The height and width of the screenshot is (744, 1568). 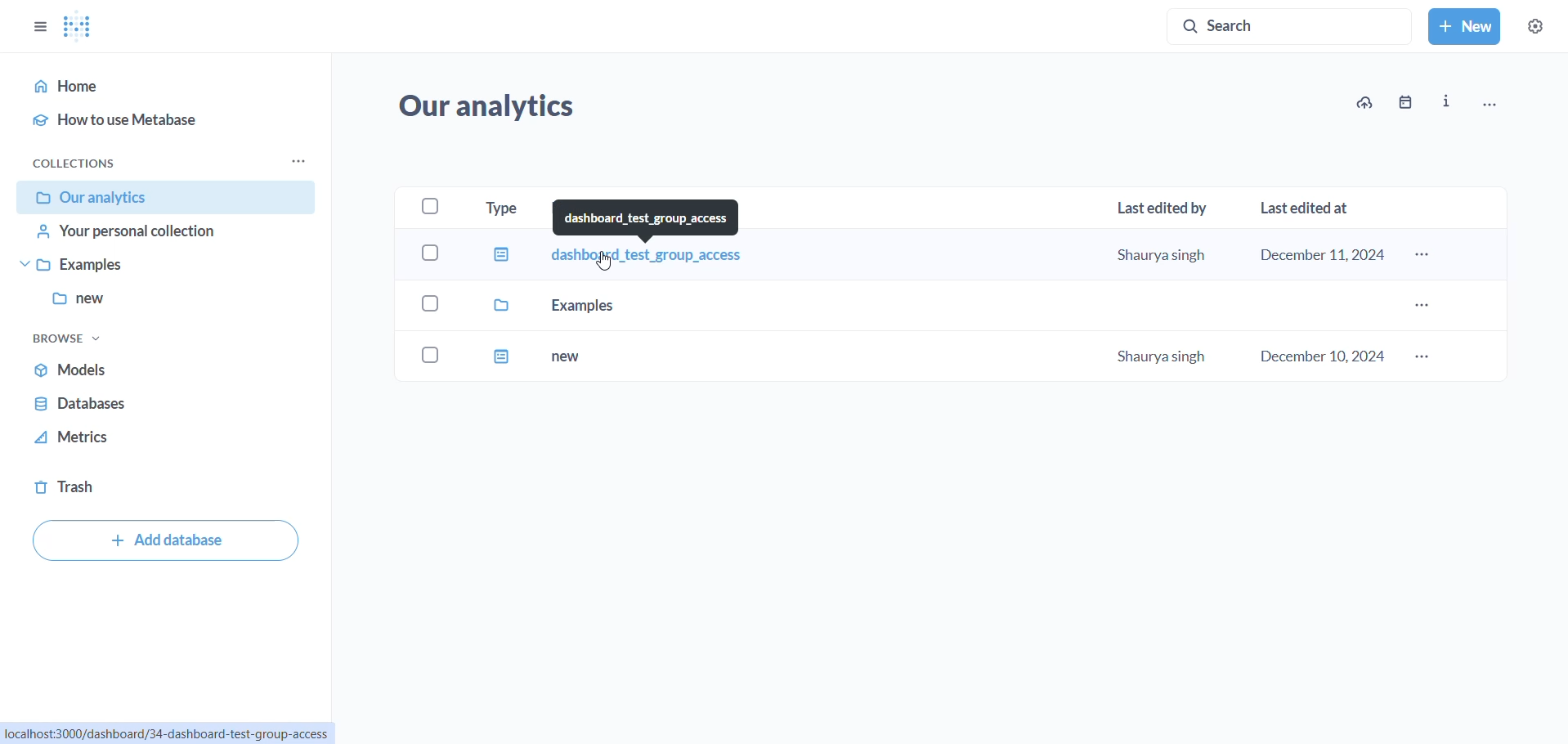 What do you see at coordinates (164, 236) in the screenshot?
I see `your personal collection` at bounding box center [164, 236].